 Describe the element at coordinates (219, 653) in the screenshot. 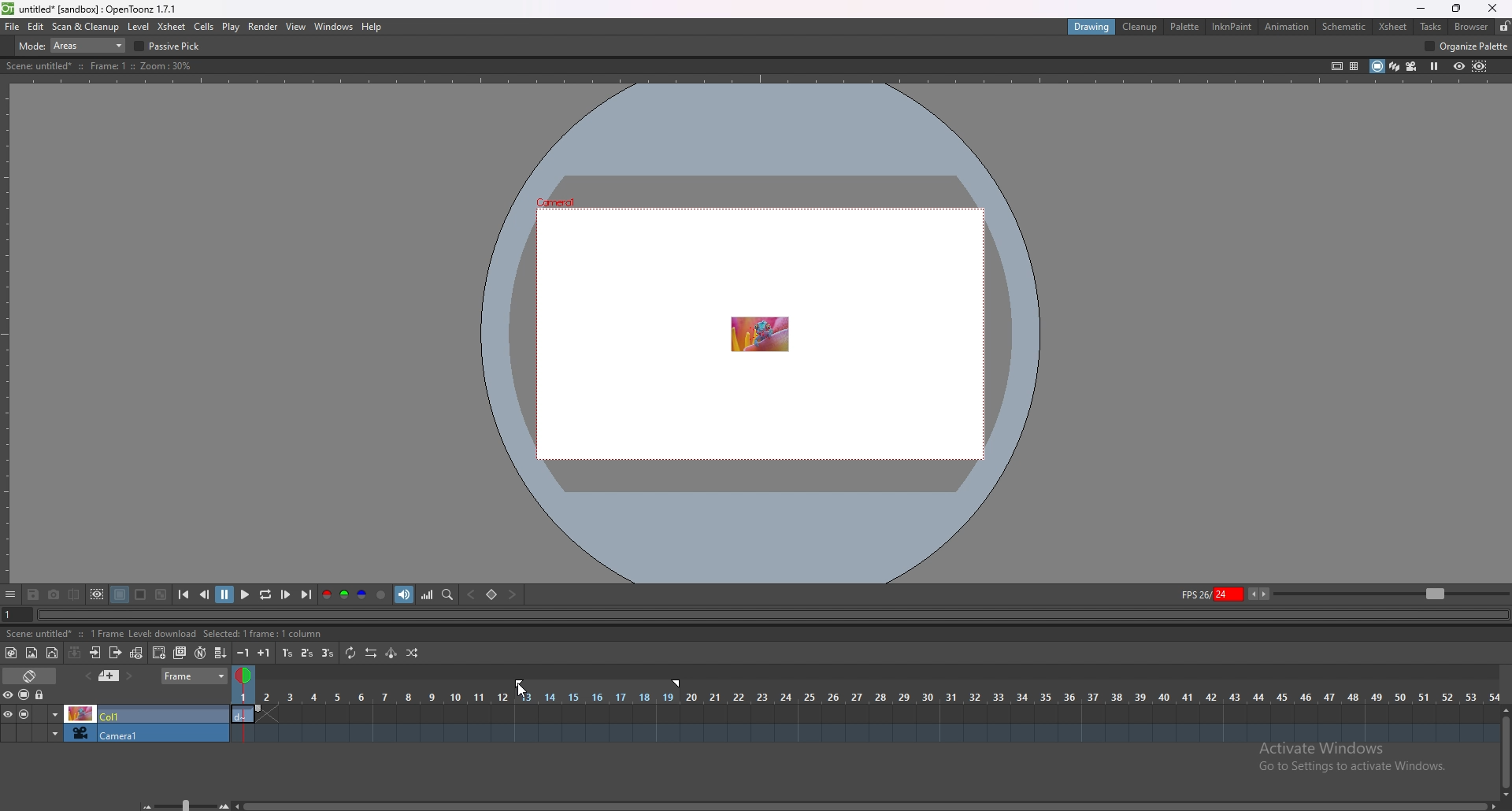

I see `fill in empty cells` at that location.